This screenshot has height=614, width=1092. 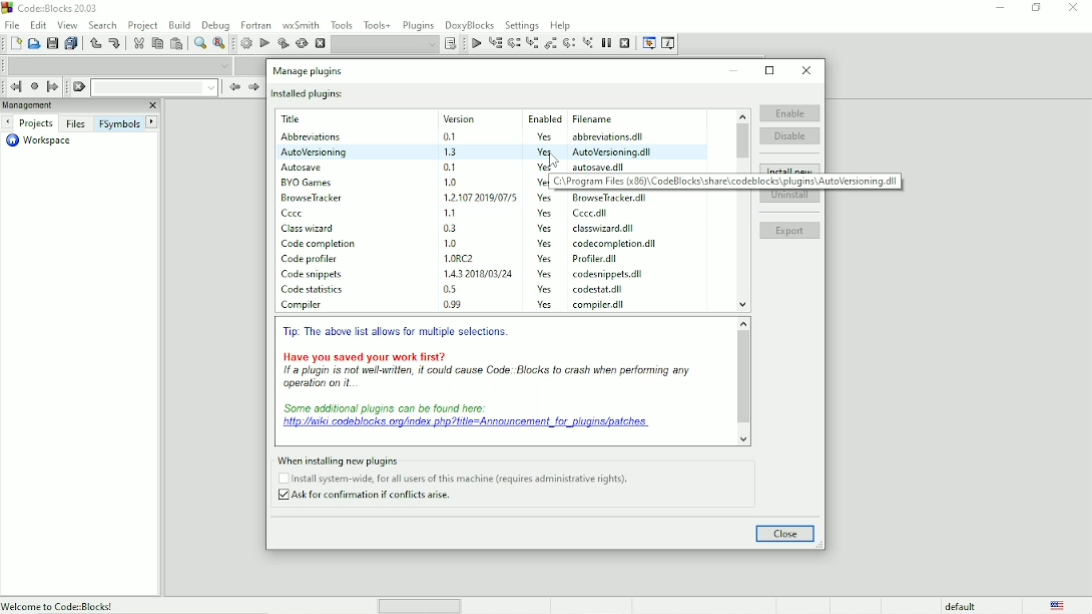 I want to click on Settings, so click(x=523, y=24).